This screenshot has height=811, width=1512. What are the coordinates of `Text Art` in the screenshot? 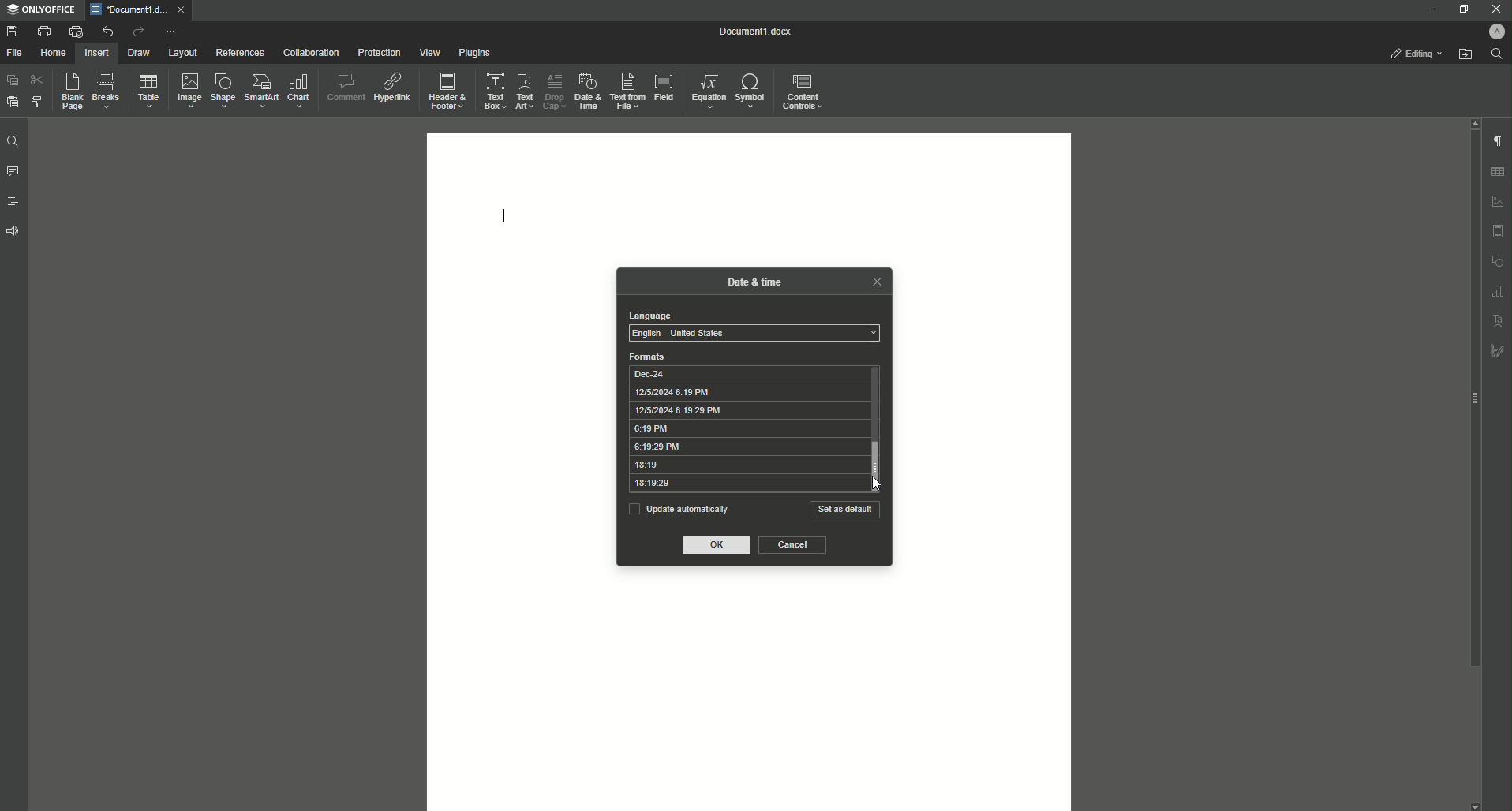 It's located at (526, 89).